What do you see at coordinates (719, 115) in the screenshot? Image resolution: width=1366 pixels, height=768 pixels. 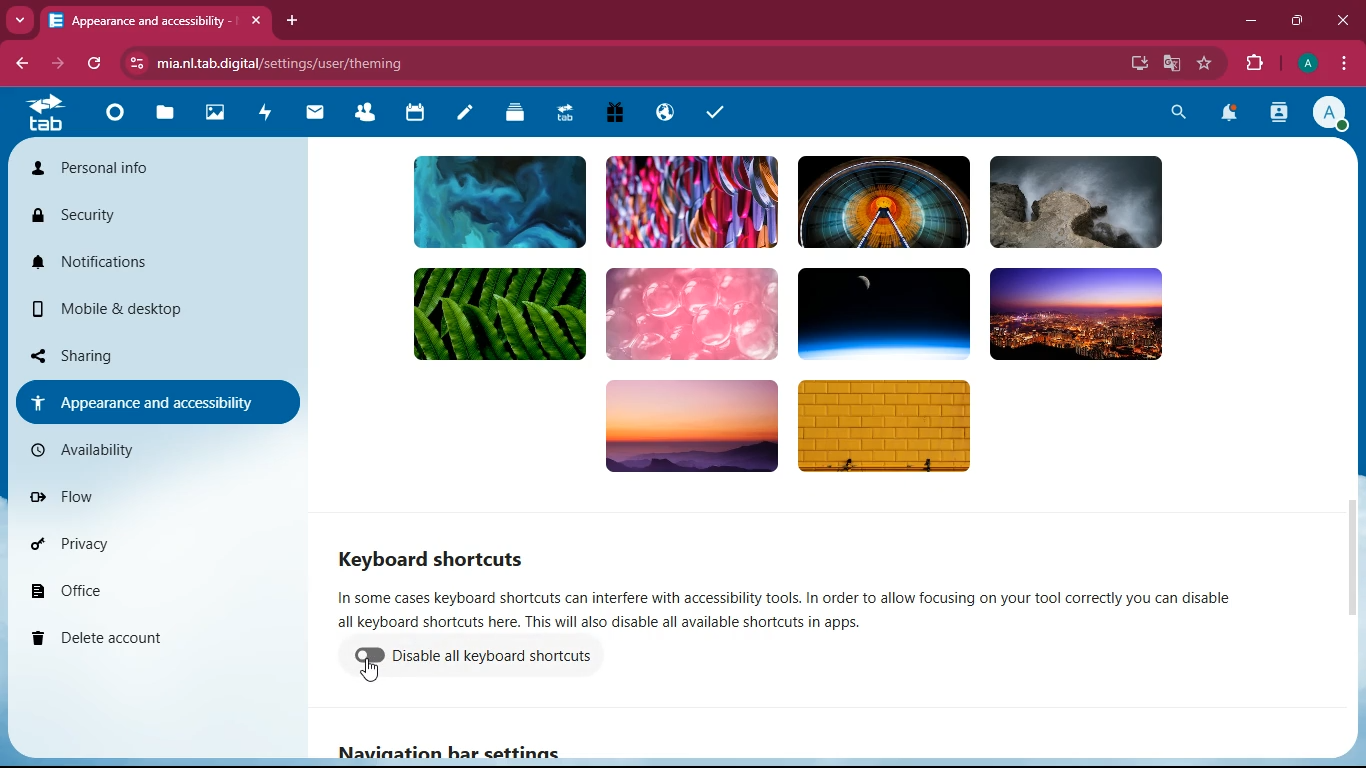 I see `task` at bounding box center [719, 115].